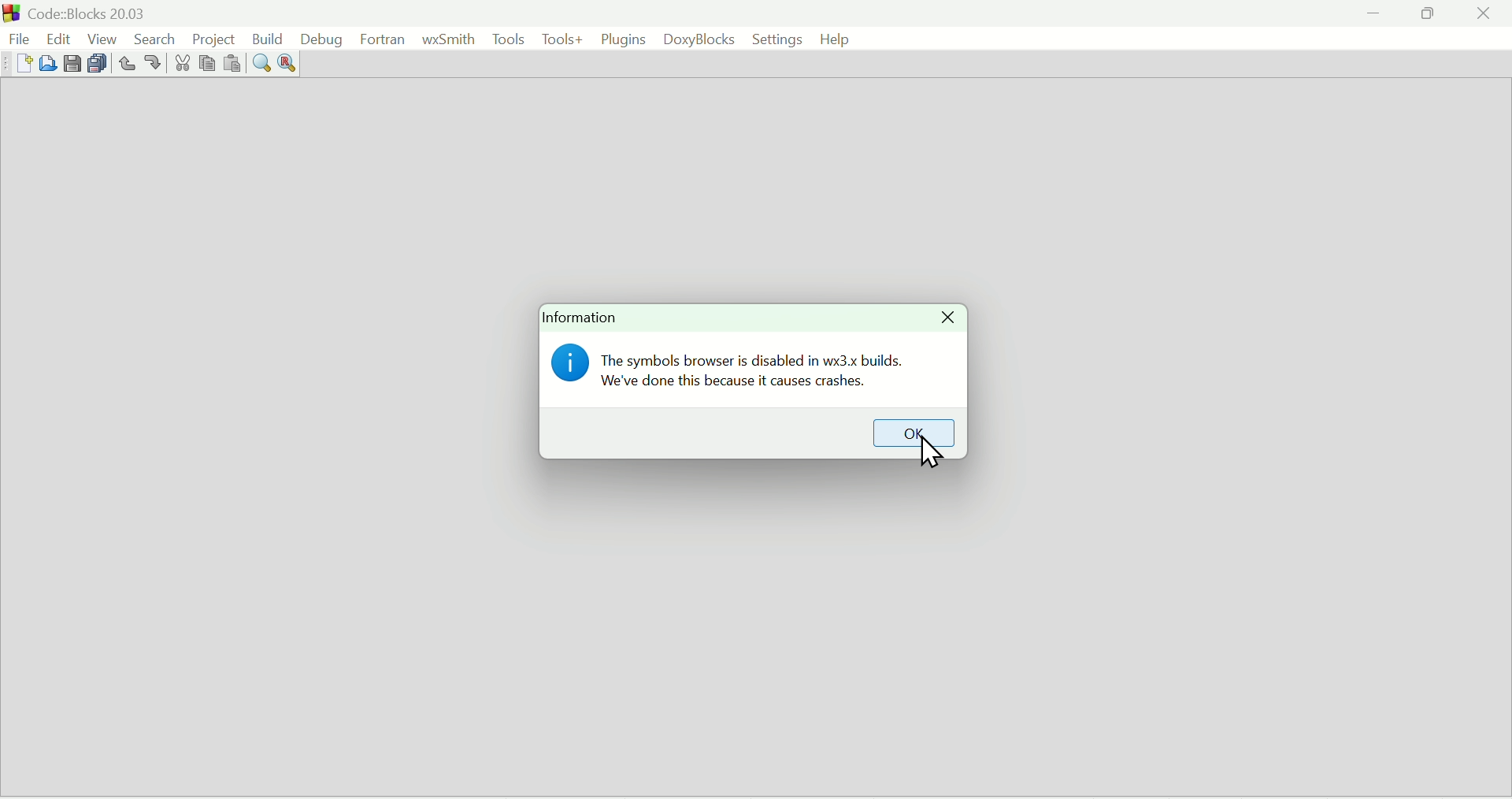 This screenshot has height=799, width=1512. I want to click on help, so click(832, 39).